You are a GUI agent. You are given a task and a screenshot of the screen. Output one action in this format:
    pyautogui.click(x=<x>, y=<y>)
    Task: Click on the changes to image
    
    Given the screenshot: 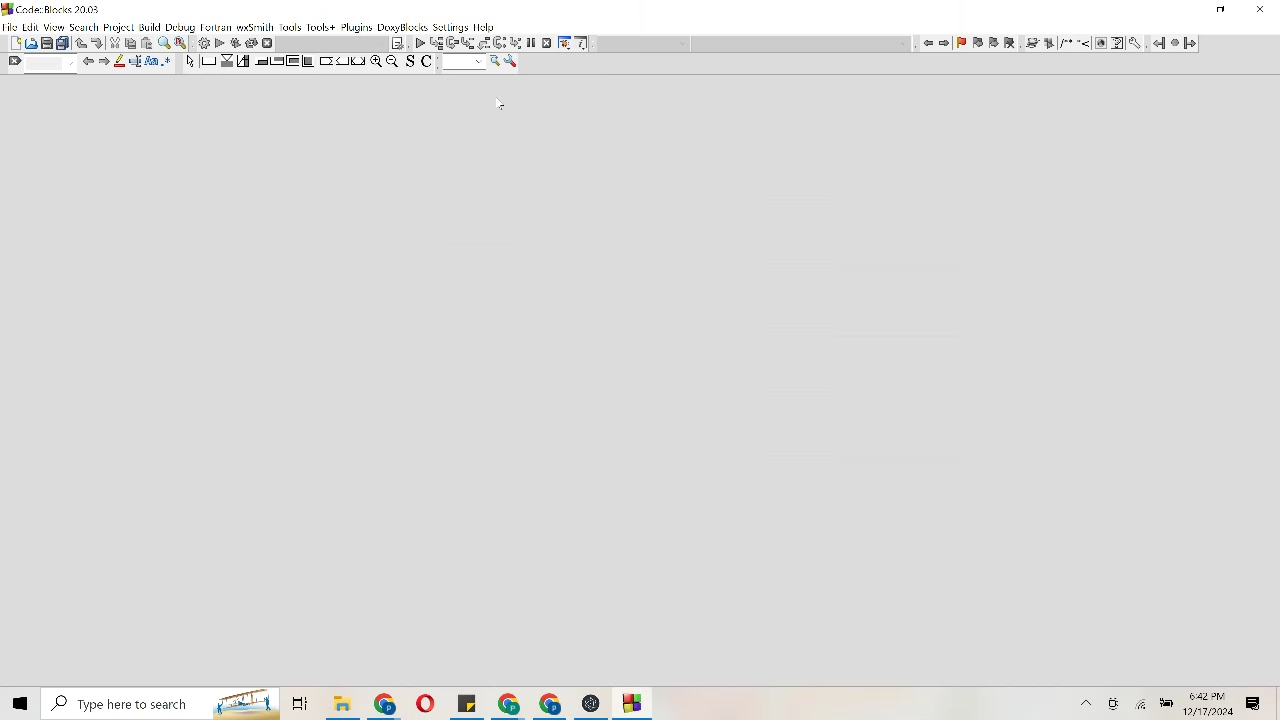 What is the action you would take?
    pyautogui.click(x=1073, y=44)
    